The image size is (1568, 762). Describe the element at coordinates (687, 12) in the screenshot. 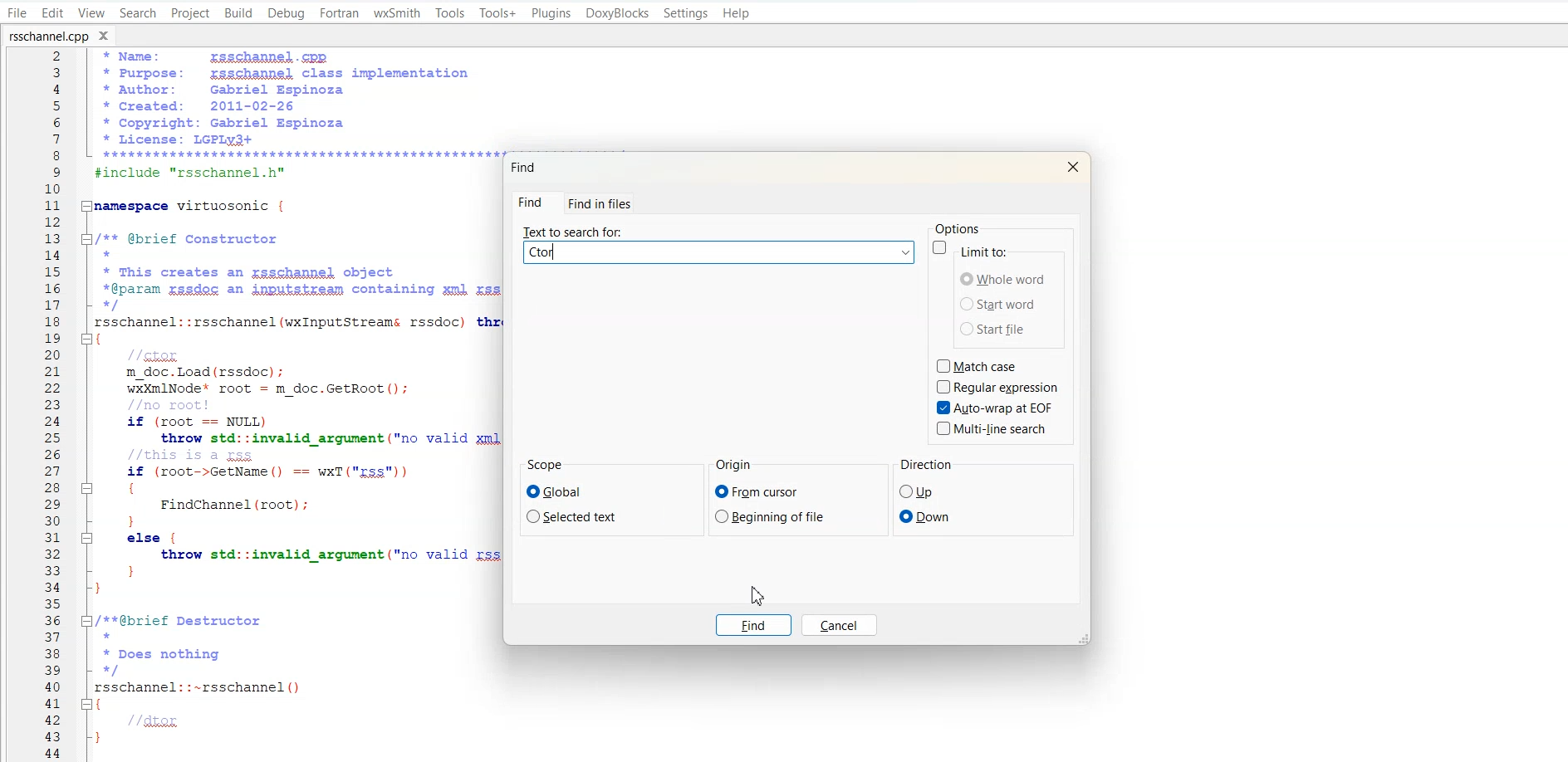

I see `Settings` at that location.